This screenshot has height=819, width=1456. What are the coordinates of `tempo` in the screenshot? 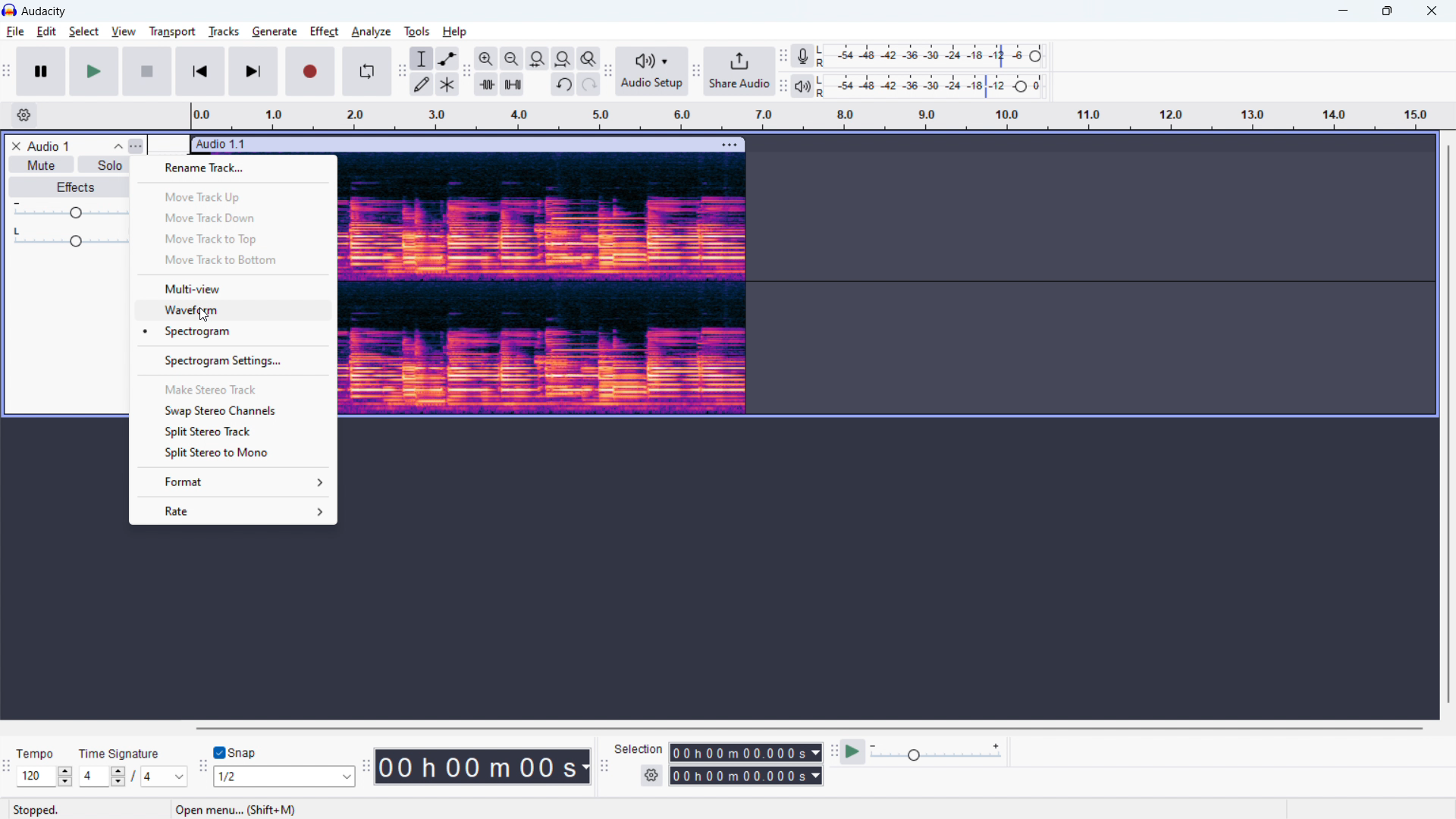 It's located at (37, 755).